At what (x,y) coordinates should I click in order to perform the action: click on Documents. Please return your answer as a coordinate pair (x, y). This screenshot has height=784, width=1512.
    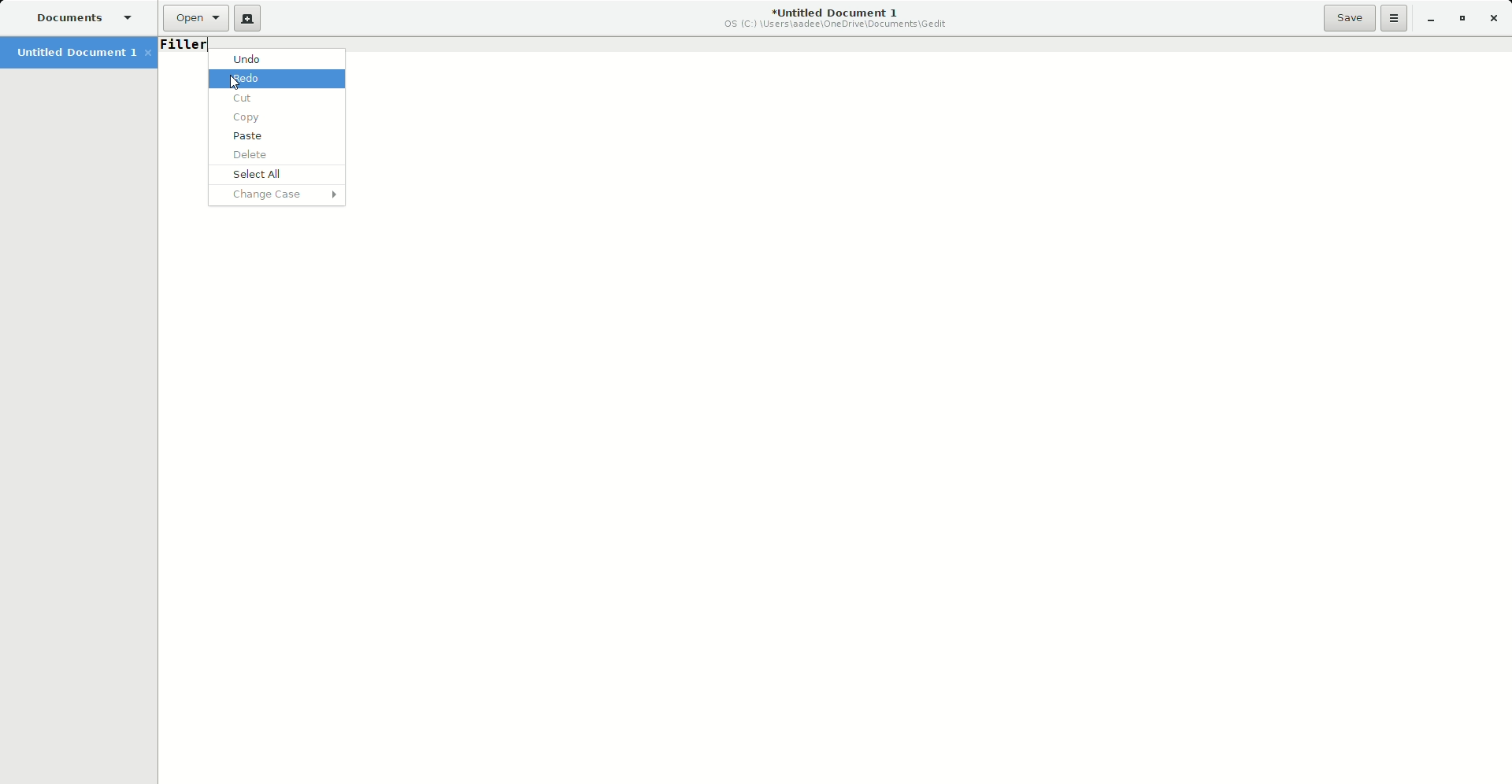
    Looking at the image, I should click on (83, 17).